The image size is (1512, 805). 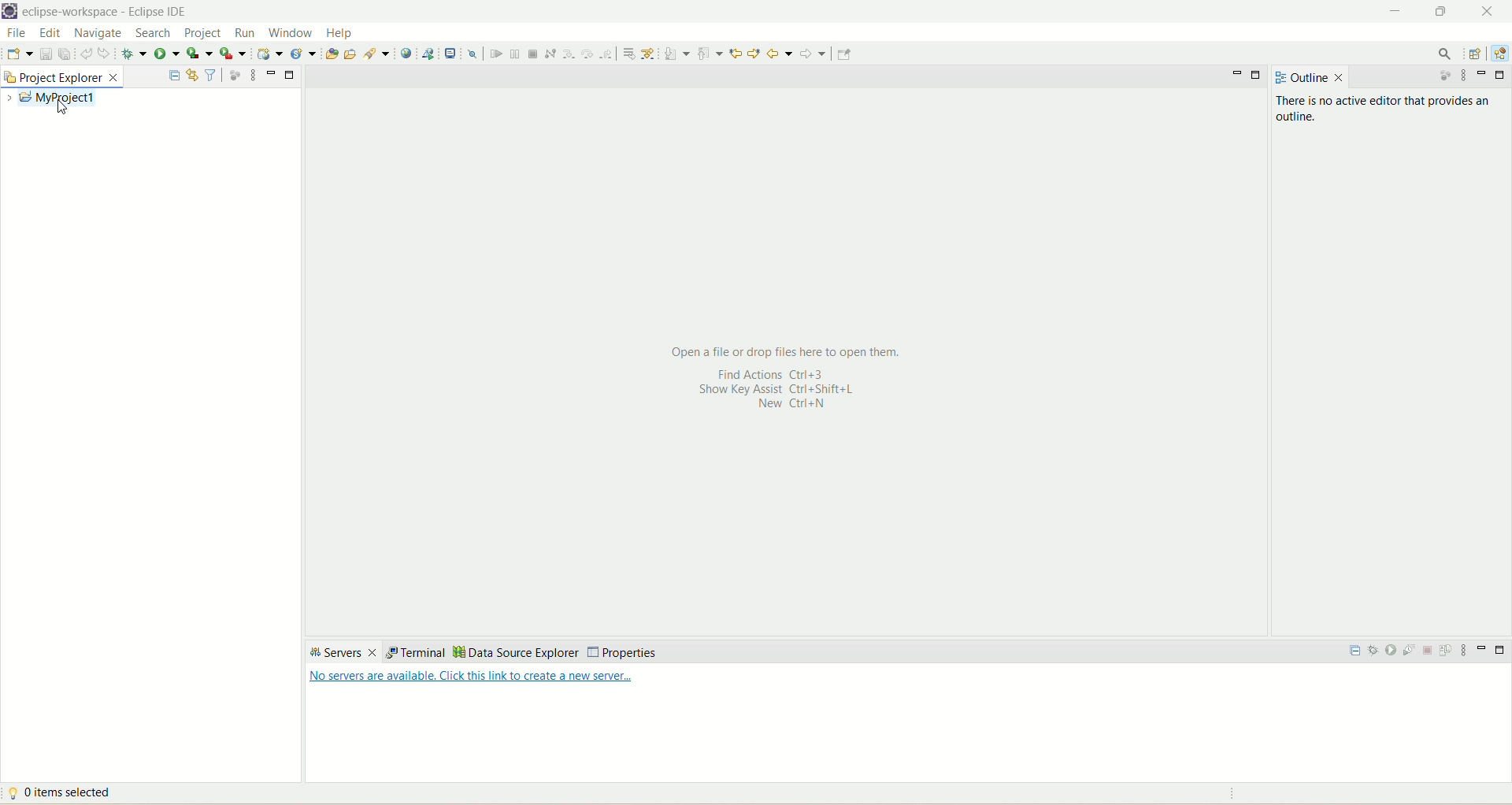 What do you see at coordinates (1481, 72) in the screenshot?
I see `minimize` at bounding box center [1481, 72].